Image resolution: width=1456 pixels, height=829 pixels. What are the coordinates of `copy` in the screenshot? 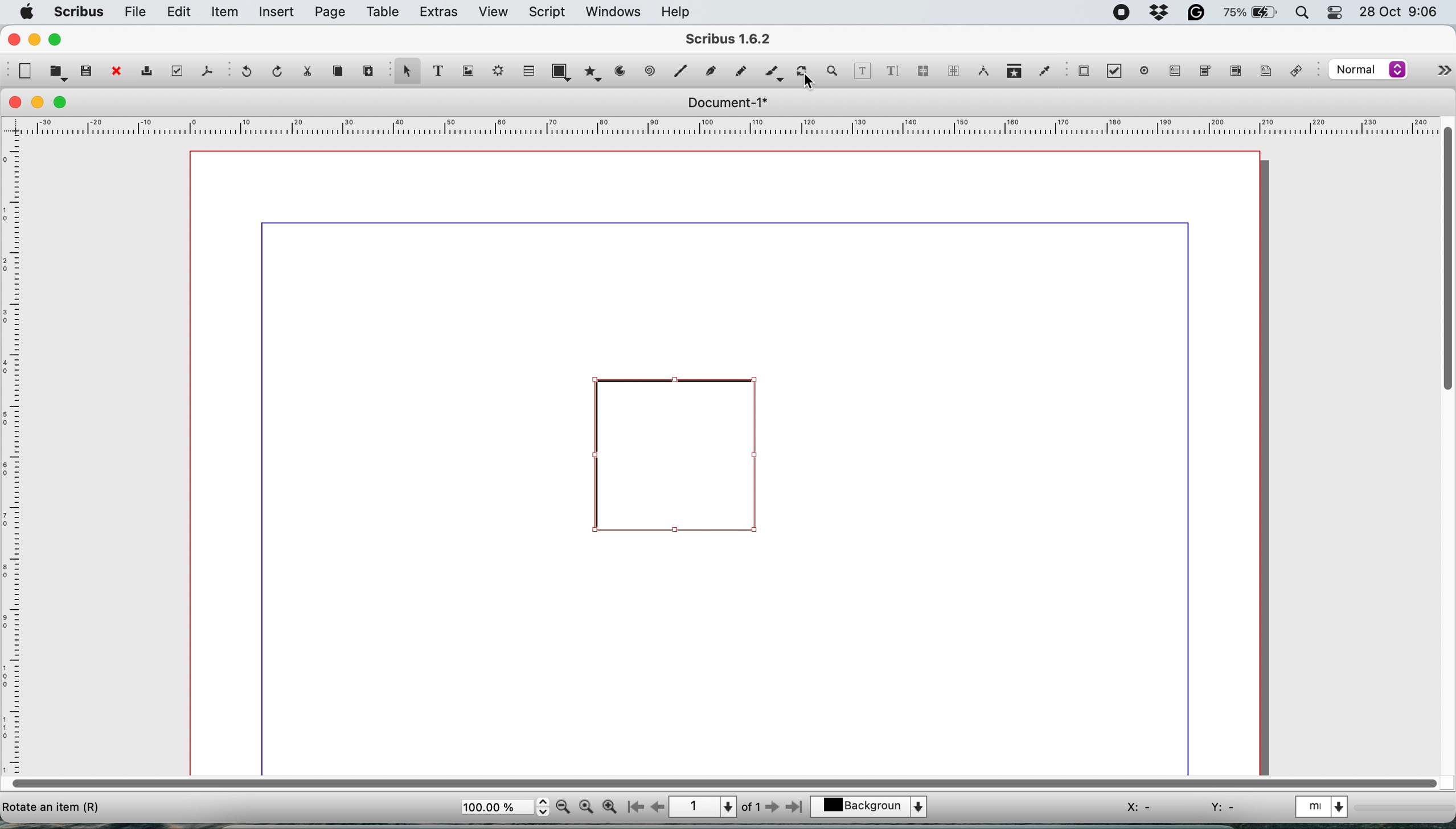 It's located at (341, 73).